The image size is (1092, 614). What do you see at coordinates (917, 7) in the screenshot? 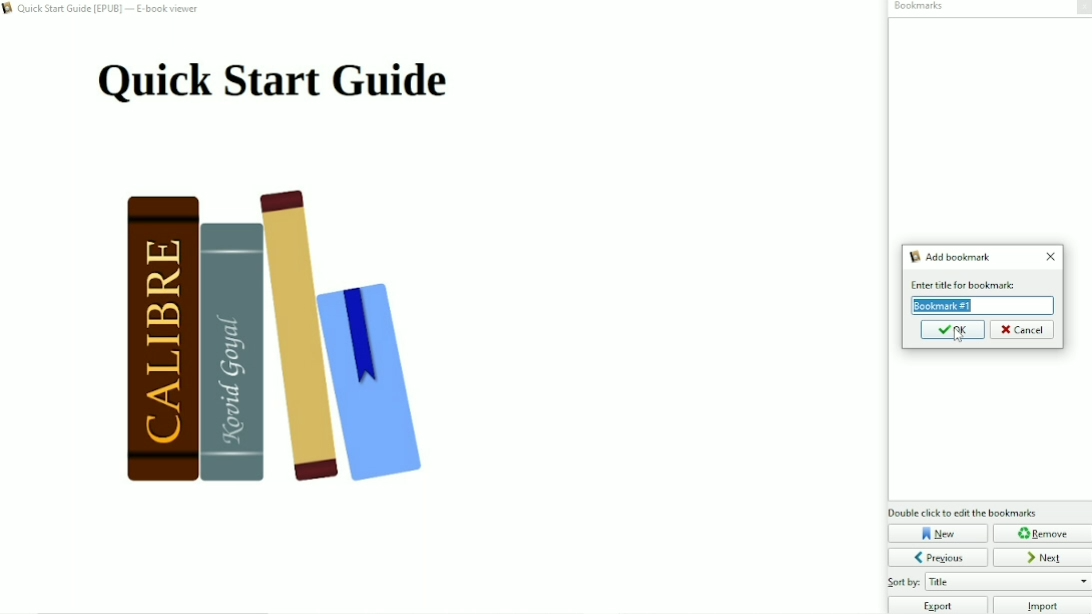
I see `Bookmarks` at bounding box center [917, 7].